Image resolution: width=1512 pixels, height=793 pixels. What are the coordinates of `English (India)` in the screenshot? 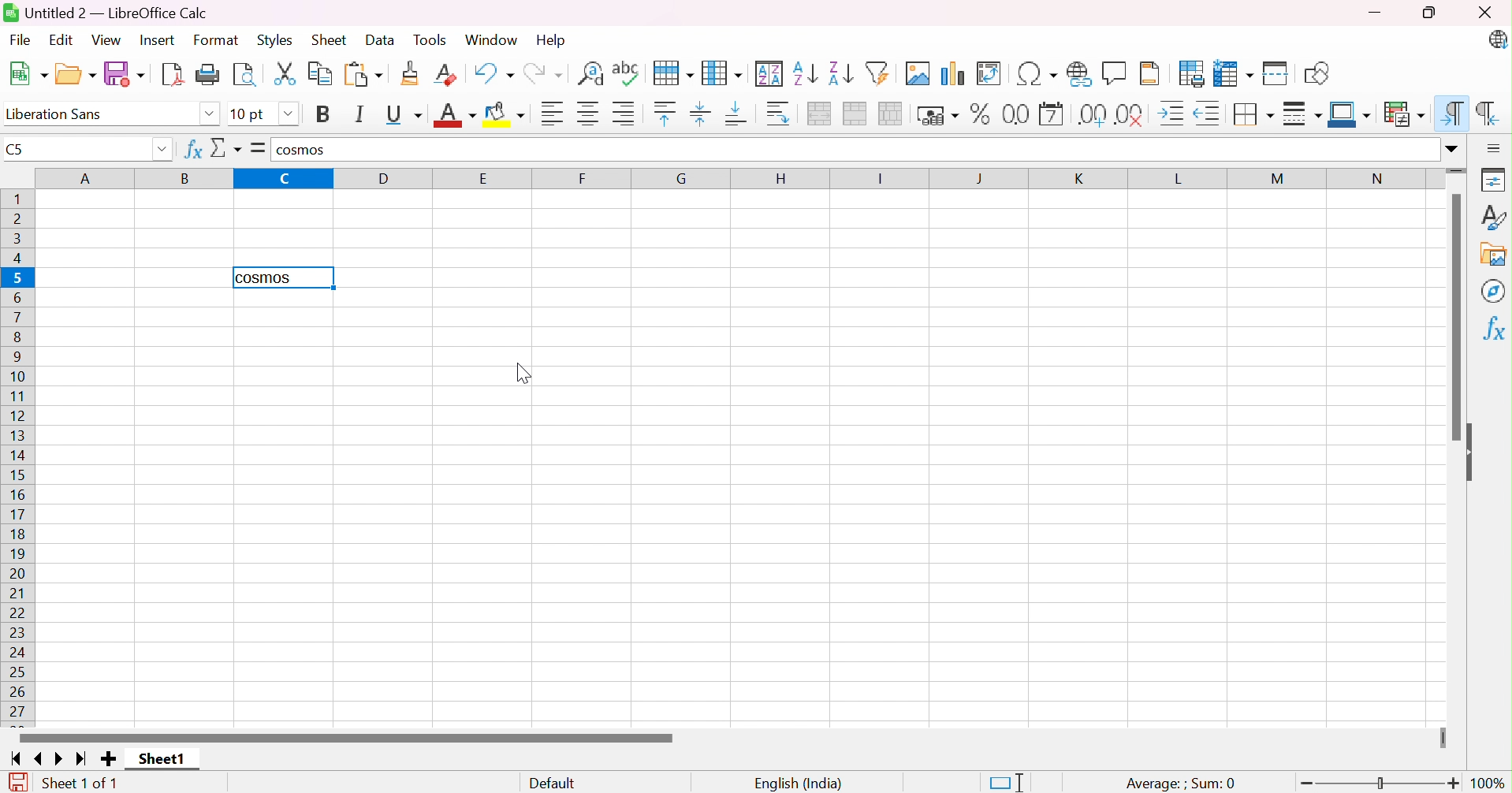 It's located at (798, 784).